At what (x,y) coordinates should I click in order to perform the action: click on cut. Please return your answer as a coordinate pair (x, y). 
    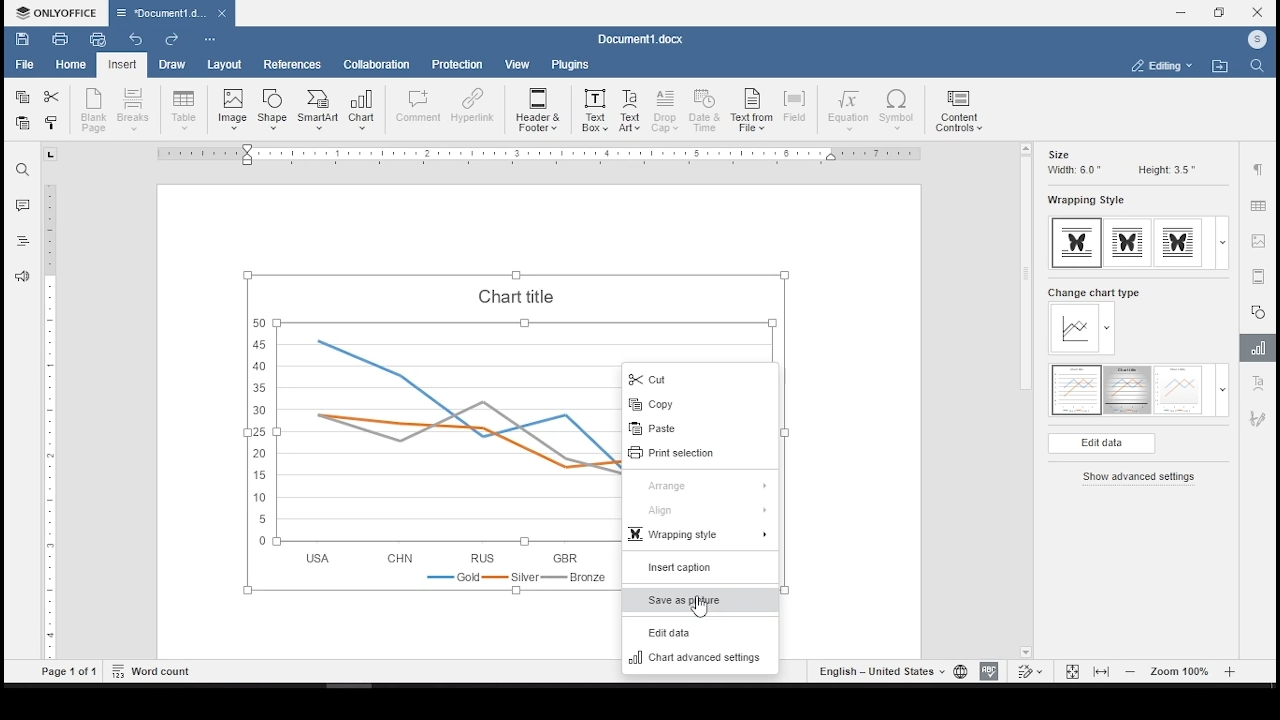
    Looking at the image, I should click on (52, 98).